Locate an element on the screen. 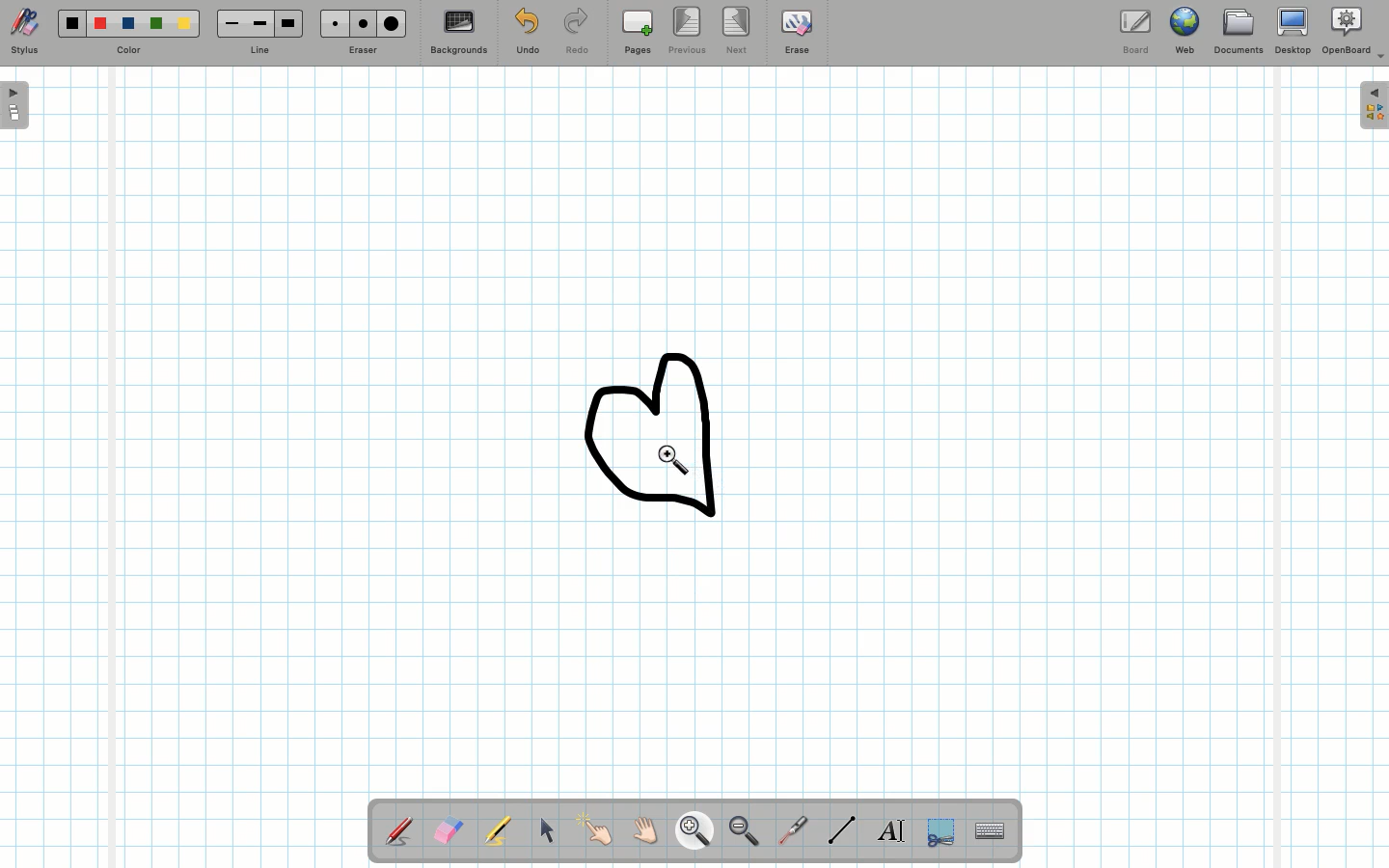 The height and width of the screenshot is (868, 1389). Selection tool is located at coordinates (937, 833).